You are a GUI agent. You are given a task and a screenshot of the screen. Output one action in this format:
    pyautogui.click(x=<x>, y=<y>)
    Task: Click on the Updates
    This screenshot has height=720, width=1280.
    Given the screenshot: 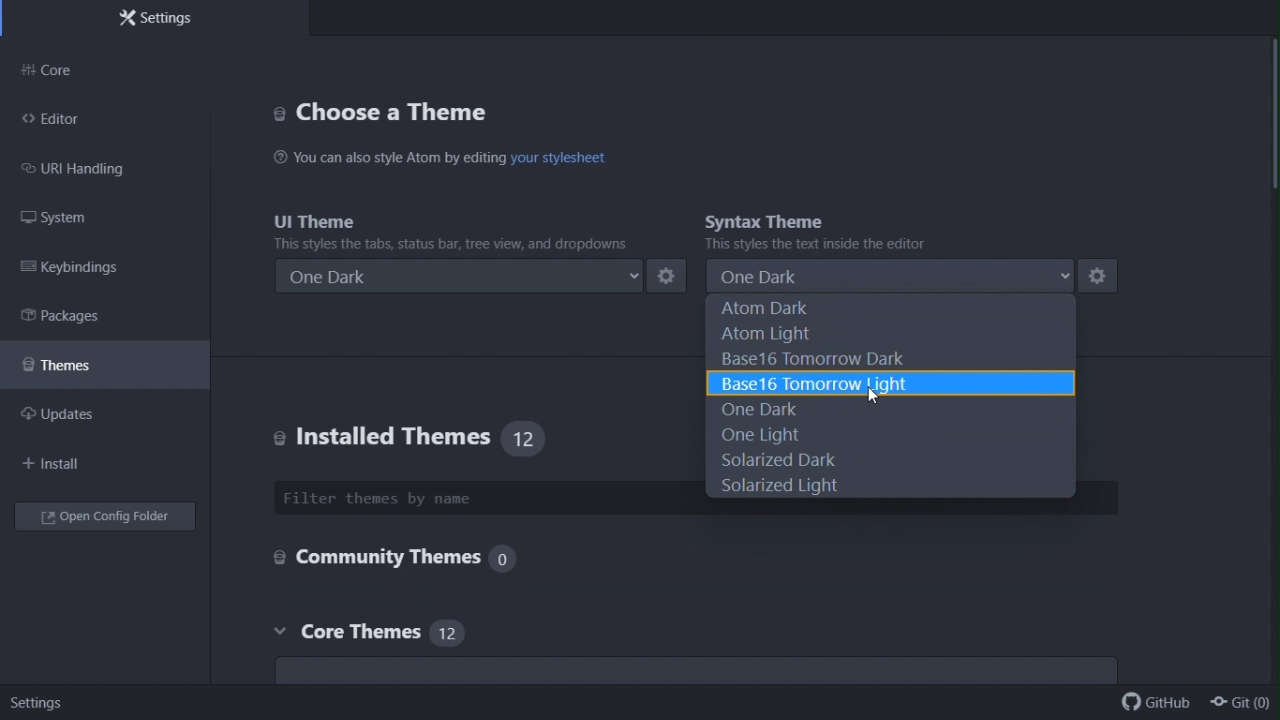 What is the action you would take?
    pyautogui.click(x=71, y=414)
    